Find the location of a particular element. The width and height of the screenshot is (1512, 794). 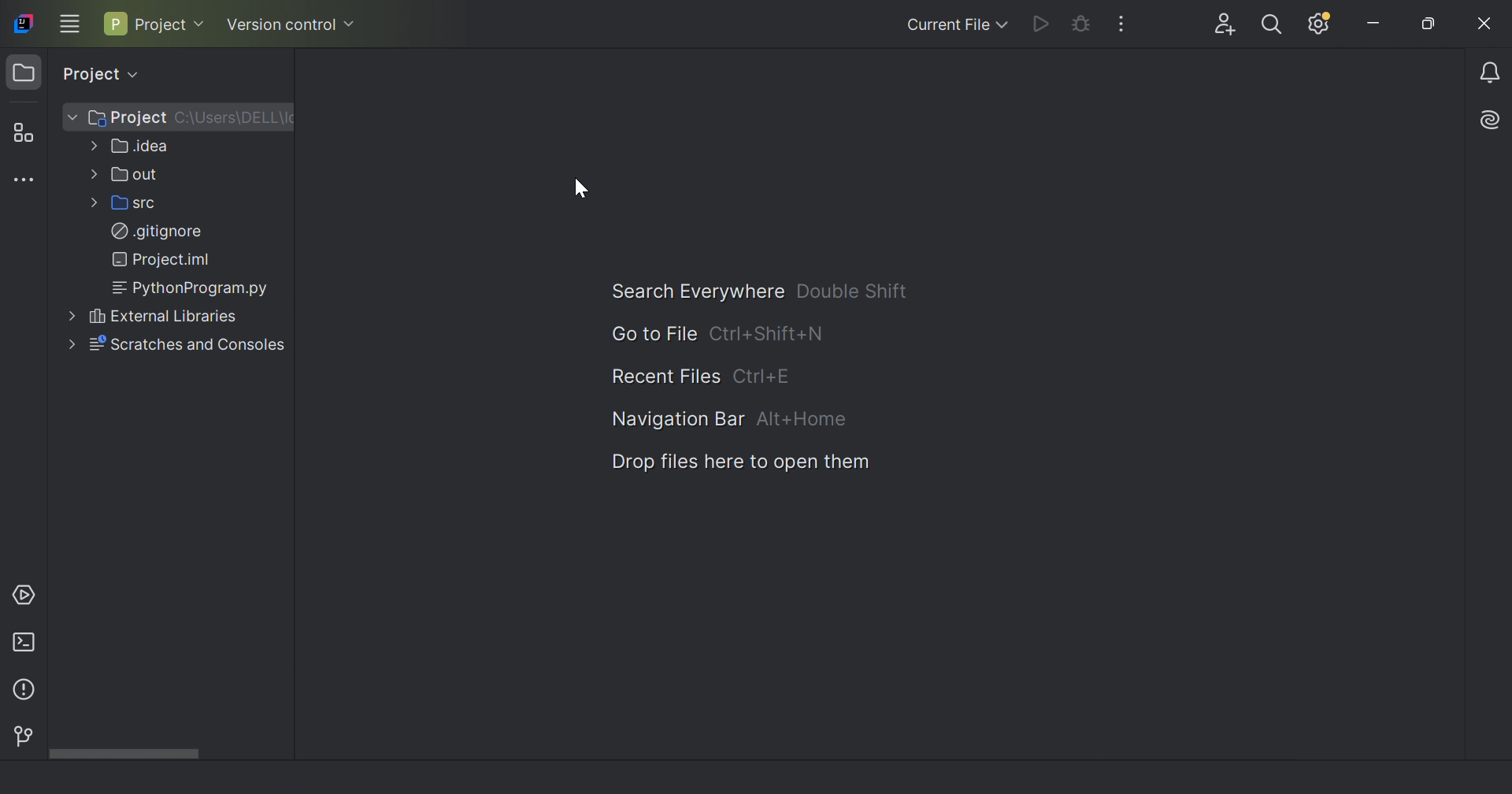

Scratches and controls is located at coordinates (176, 344).